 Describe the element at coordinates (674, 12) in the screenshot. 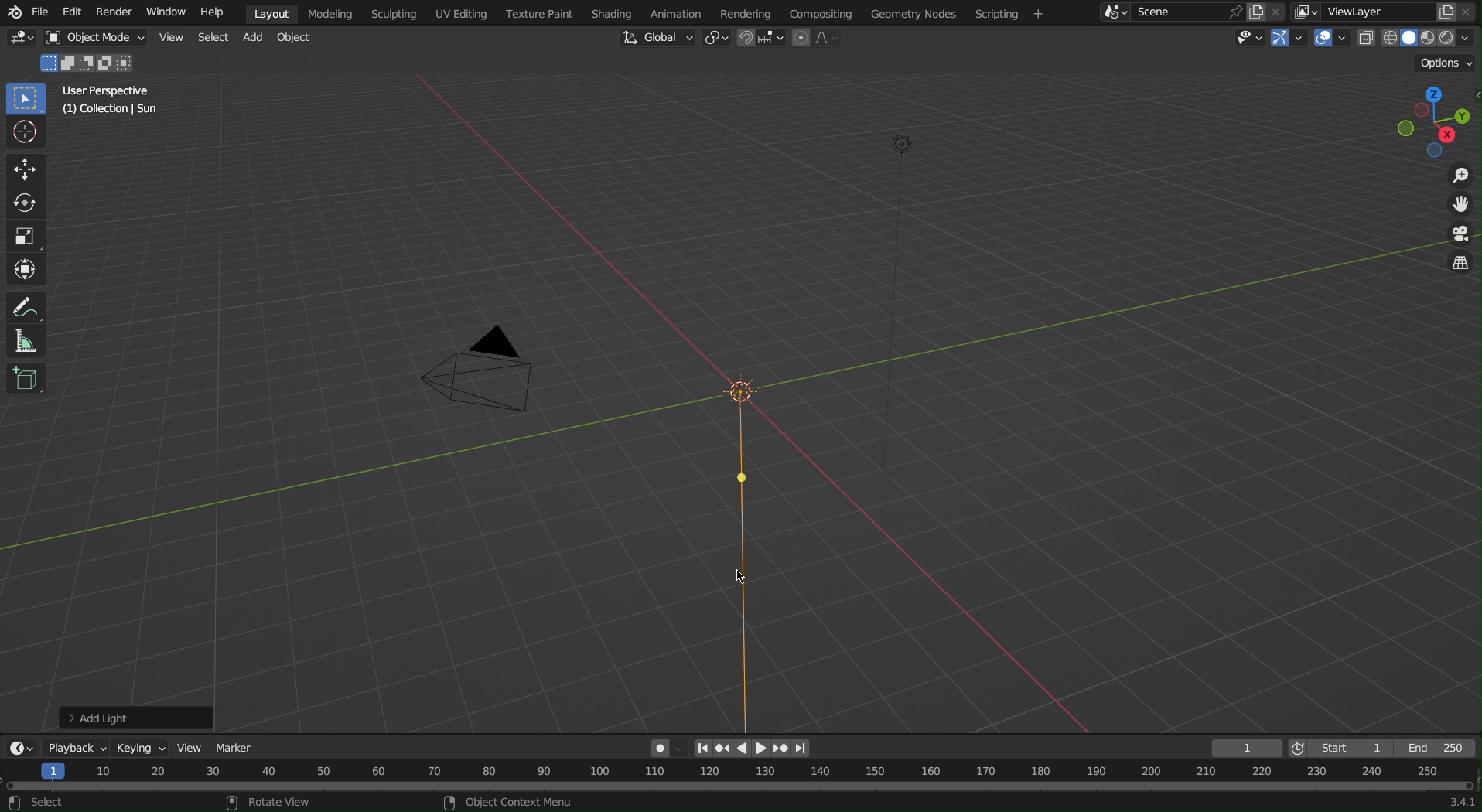

I see `Animation` at that location.